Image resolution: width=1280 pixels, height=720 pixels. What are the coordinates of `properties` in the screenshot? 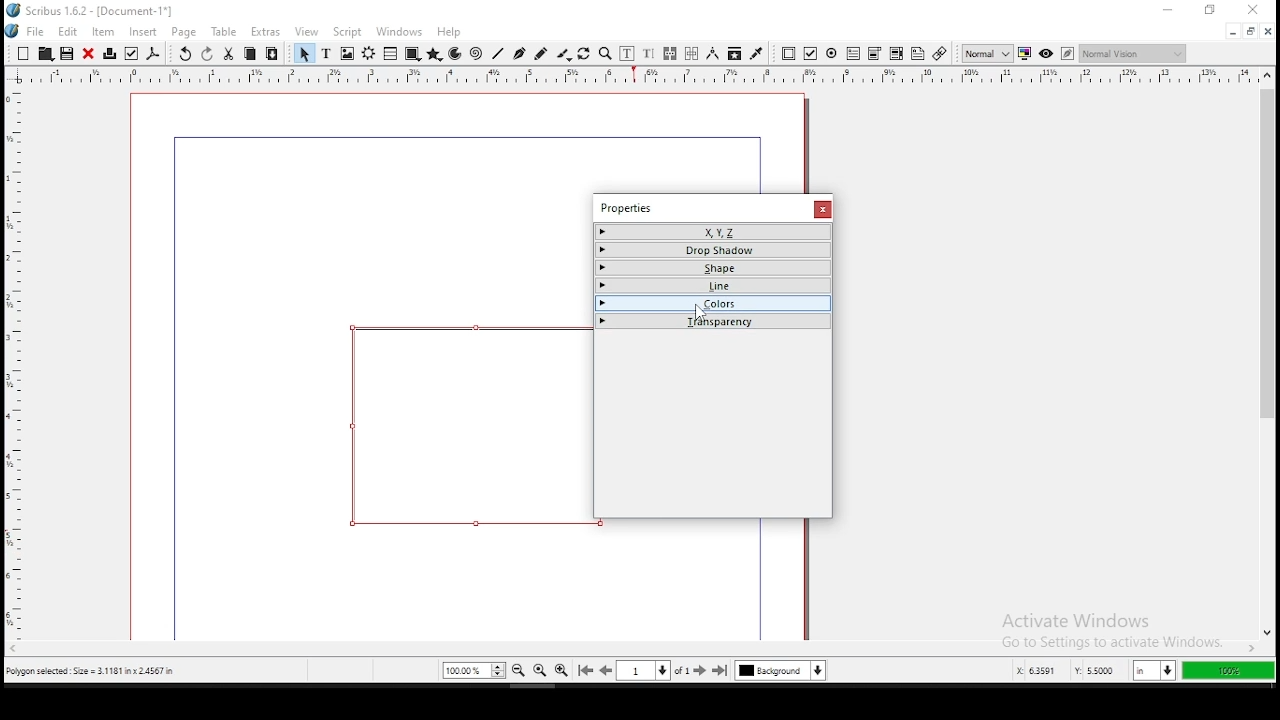 It's located at (625, 208).